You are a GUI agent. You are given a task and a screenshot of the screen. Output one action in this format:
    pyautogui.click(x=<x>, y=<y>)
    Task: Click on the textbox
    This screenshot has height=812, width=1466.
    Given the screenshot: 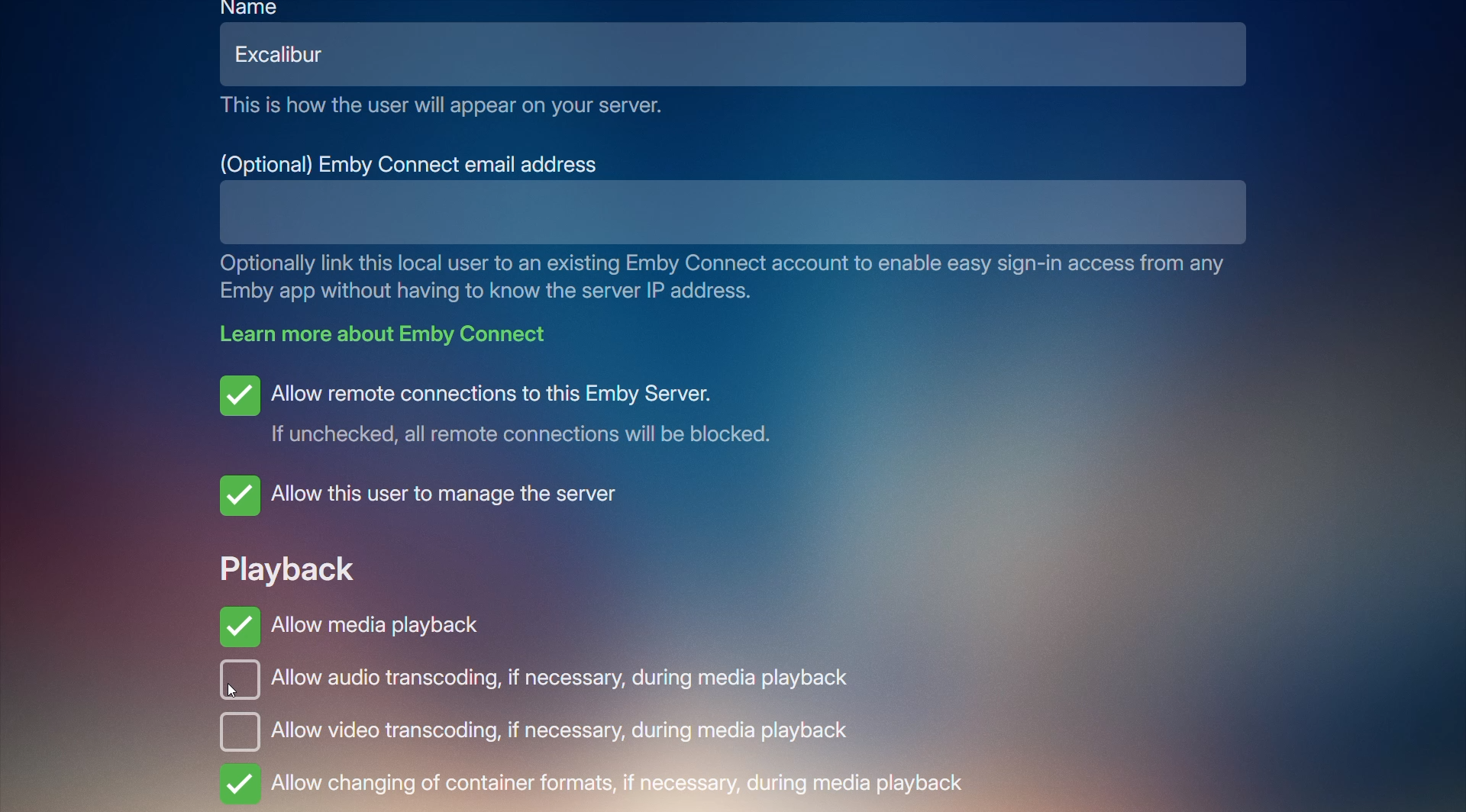 What is the action you would take?
    pyautogui.click(x=681, y=212)
    